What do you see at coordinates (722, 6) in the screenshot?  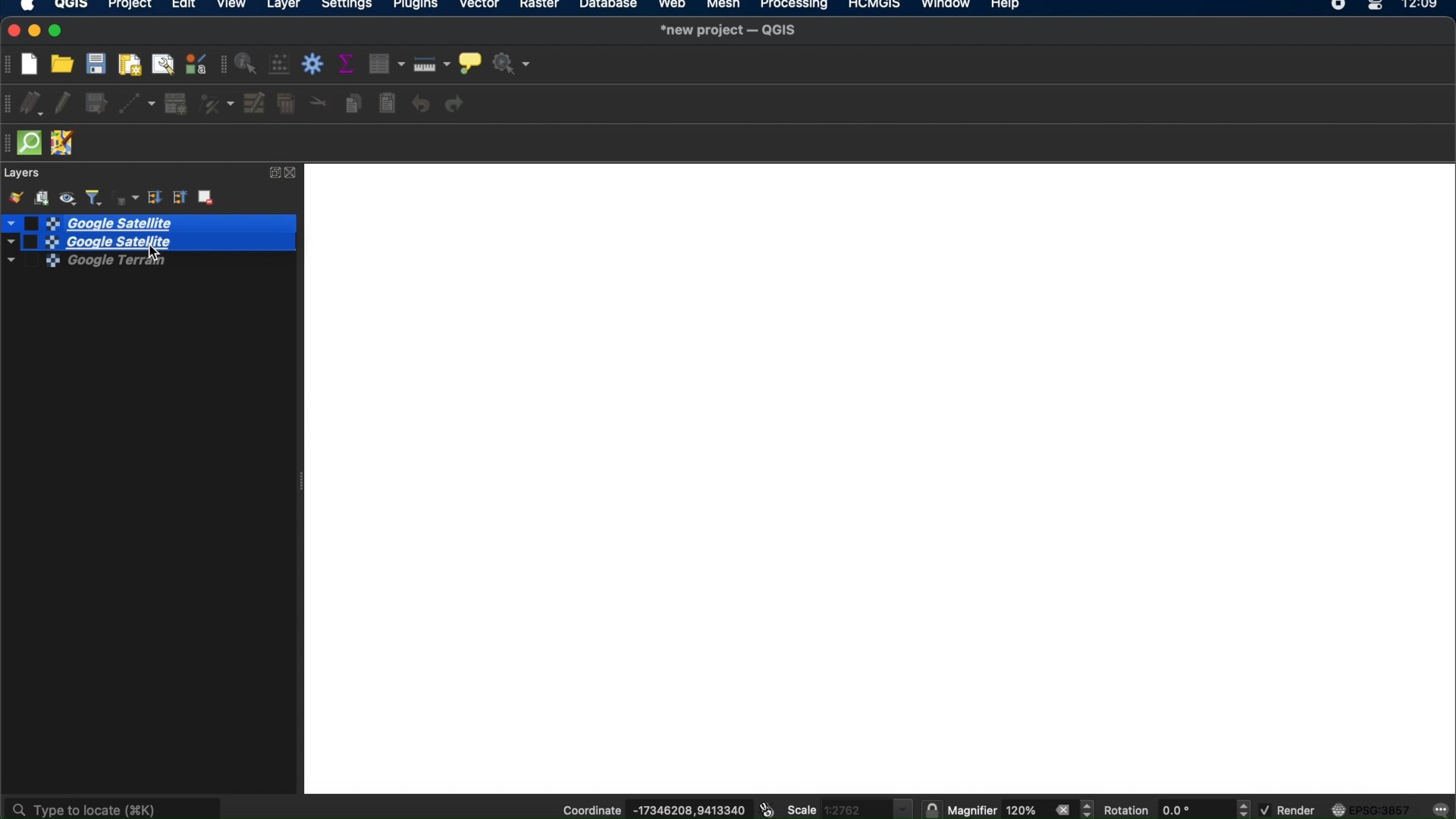 I see `mesh` at bounding box center [722, 6].